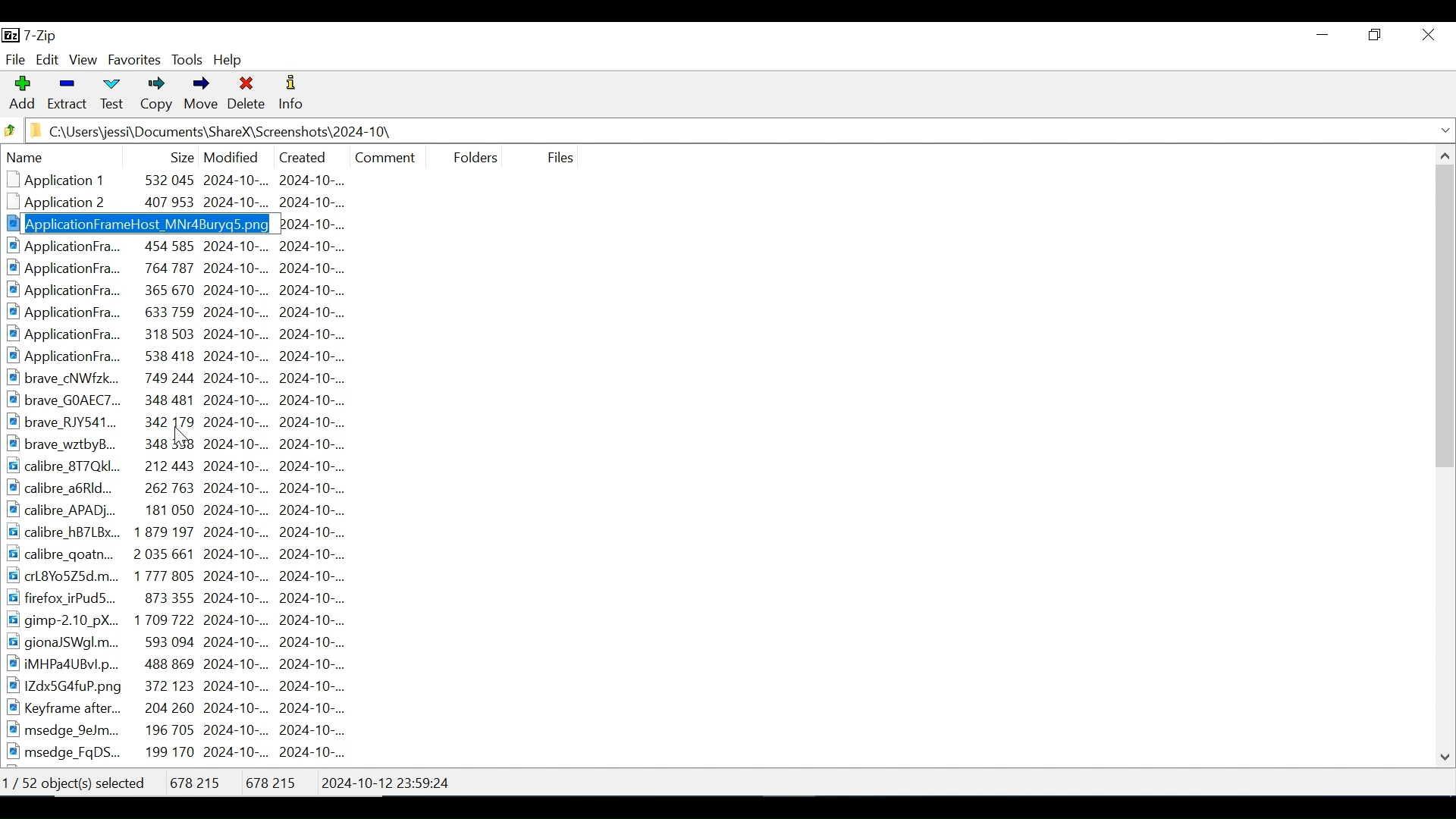  What do you see at coordinates (1427, 35) in the screenshot?
I see `Close` at bounding box center [1427, 35].